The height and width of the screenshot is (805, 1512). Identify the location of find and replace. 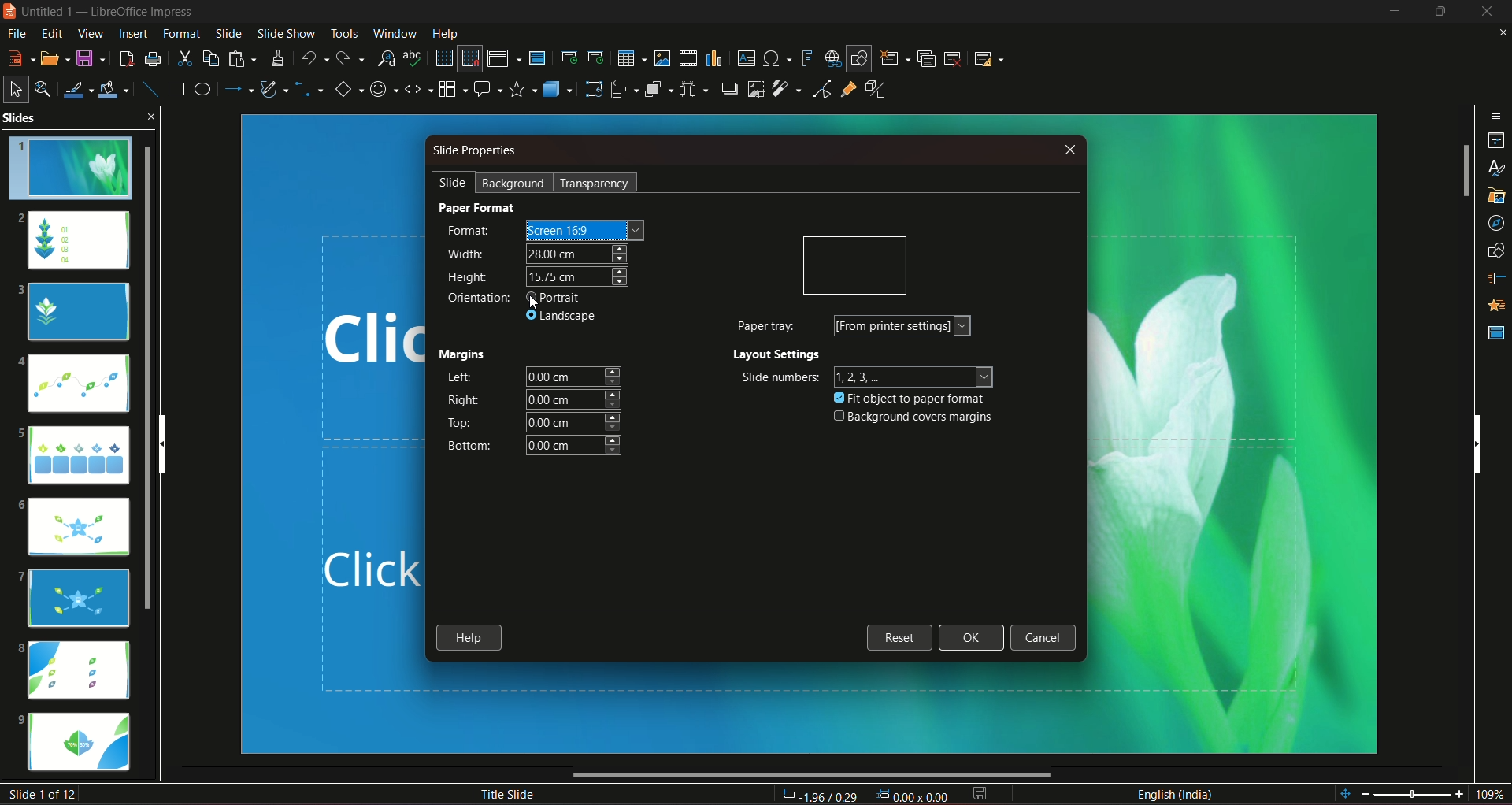
(386, 57).